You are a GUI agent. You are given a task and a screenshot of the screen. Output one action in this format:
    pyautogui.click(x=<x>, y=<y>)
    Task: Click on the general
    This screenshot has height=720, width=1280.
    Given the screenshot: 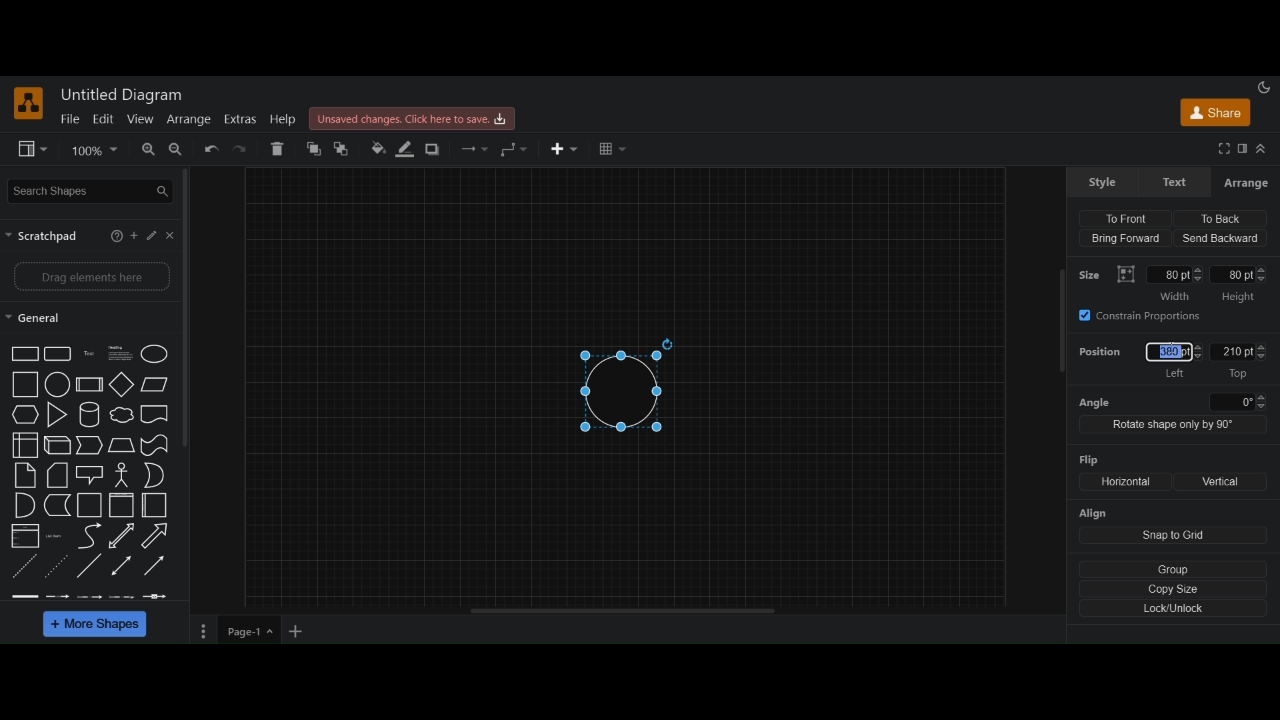 What is the action you would take?
    pyautogui.click(x=34, y=320)
    